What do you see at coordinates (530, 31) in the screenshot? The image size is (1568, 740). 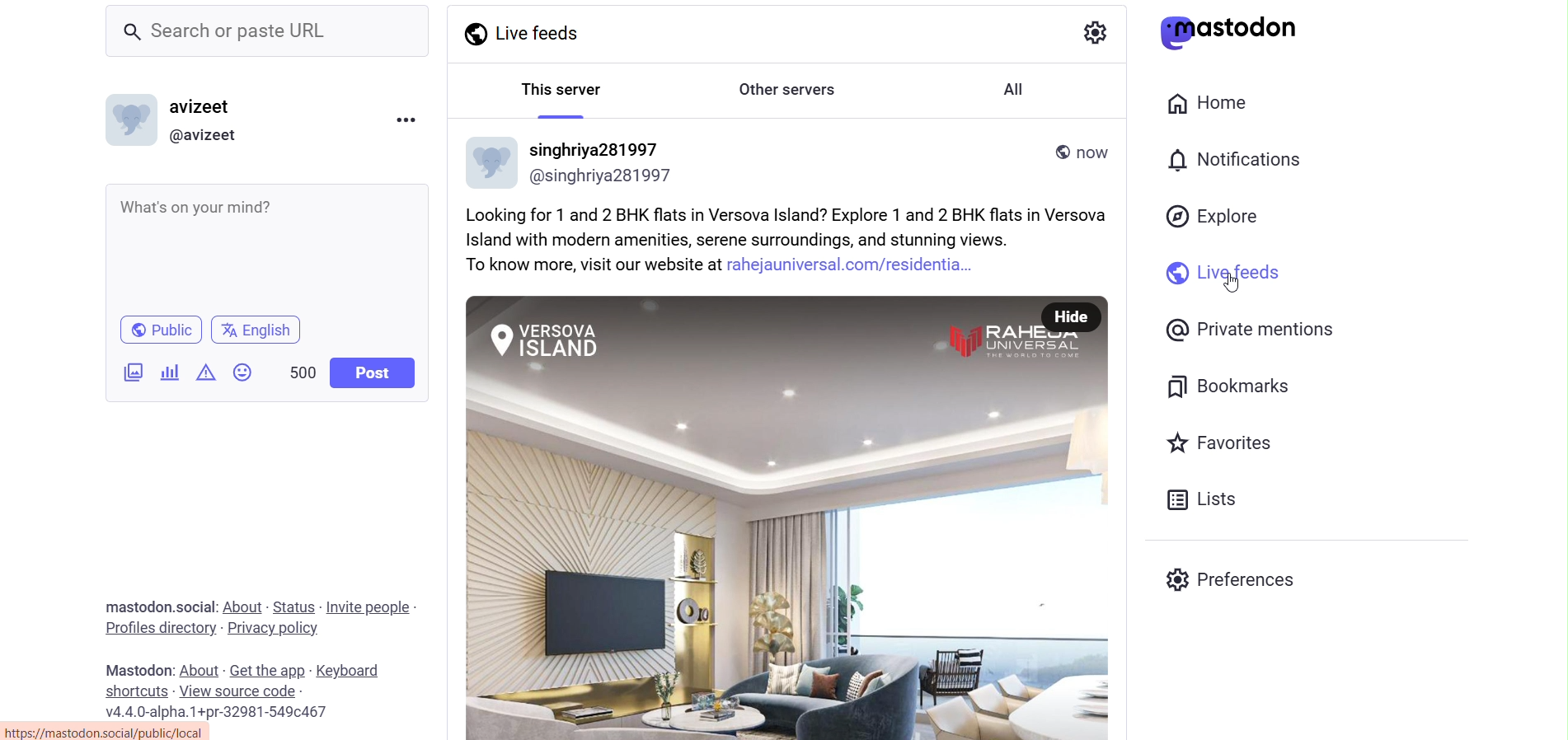 I see `Live Feeds` at bounding box center [530, 31].